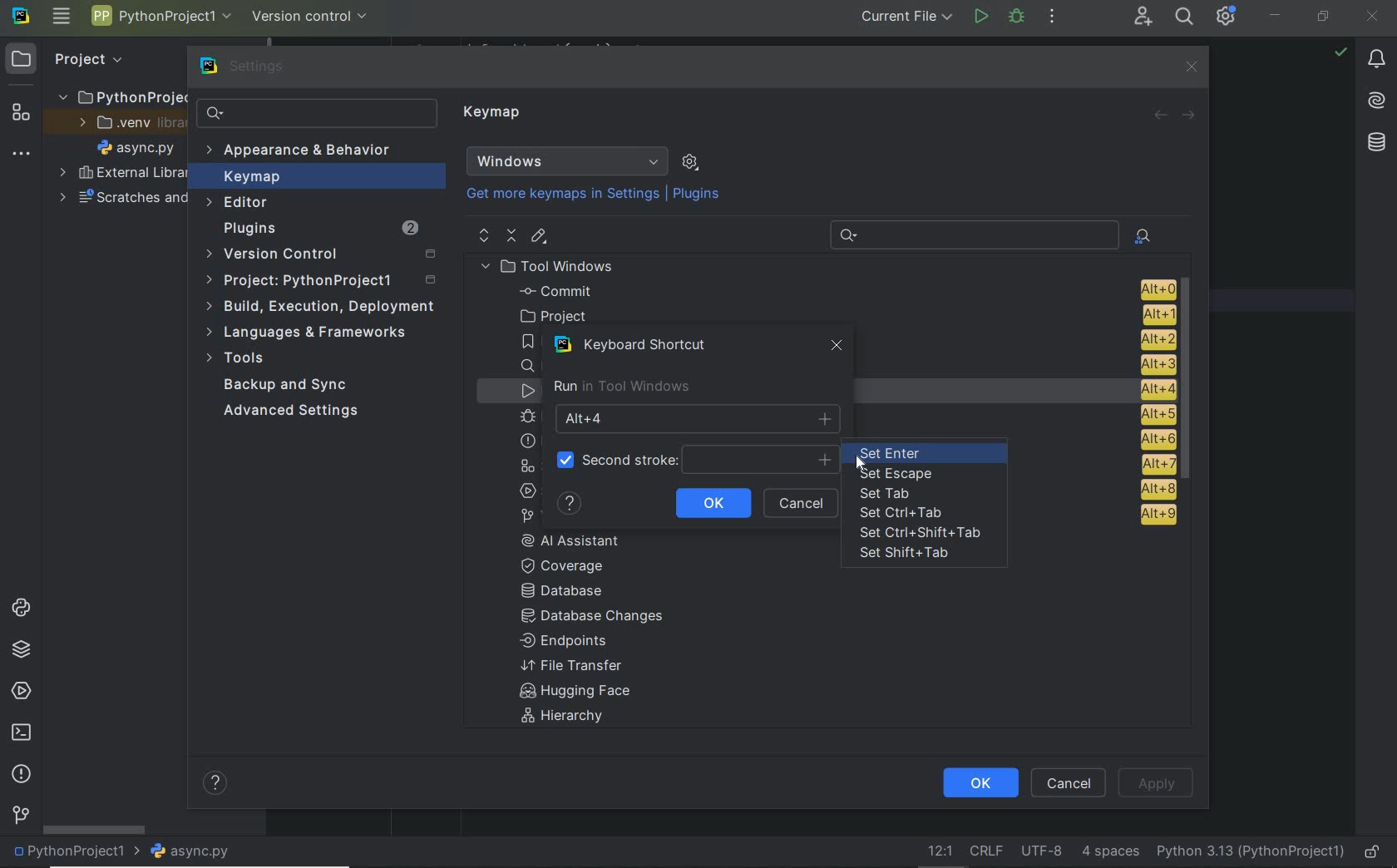 The image size is (1397, 868). What do you see at coordinates (694, 460) in the screenshot?
I see `second stroke selected` at bounding box center [694, 460].